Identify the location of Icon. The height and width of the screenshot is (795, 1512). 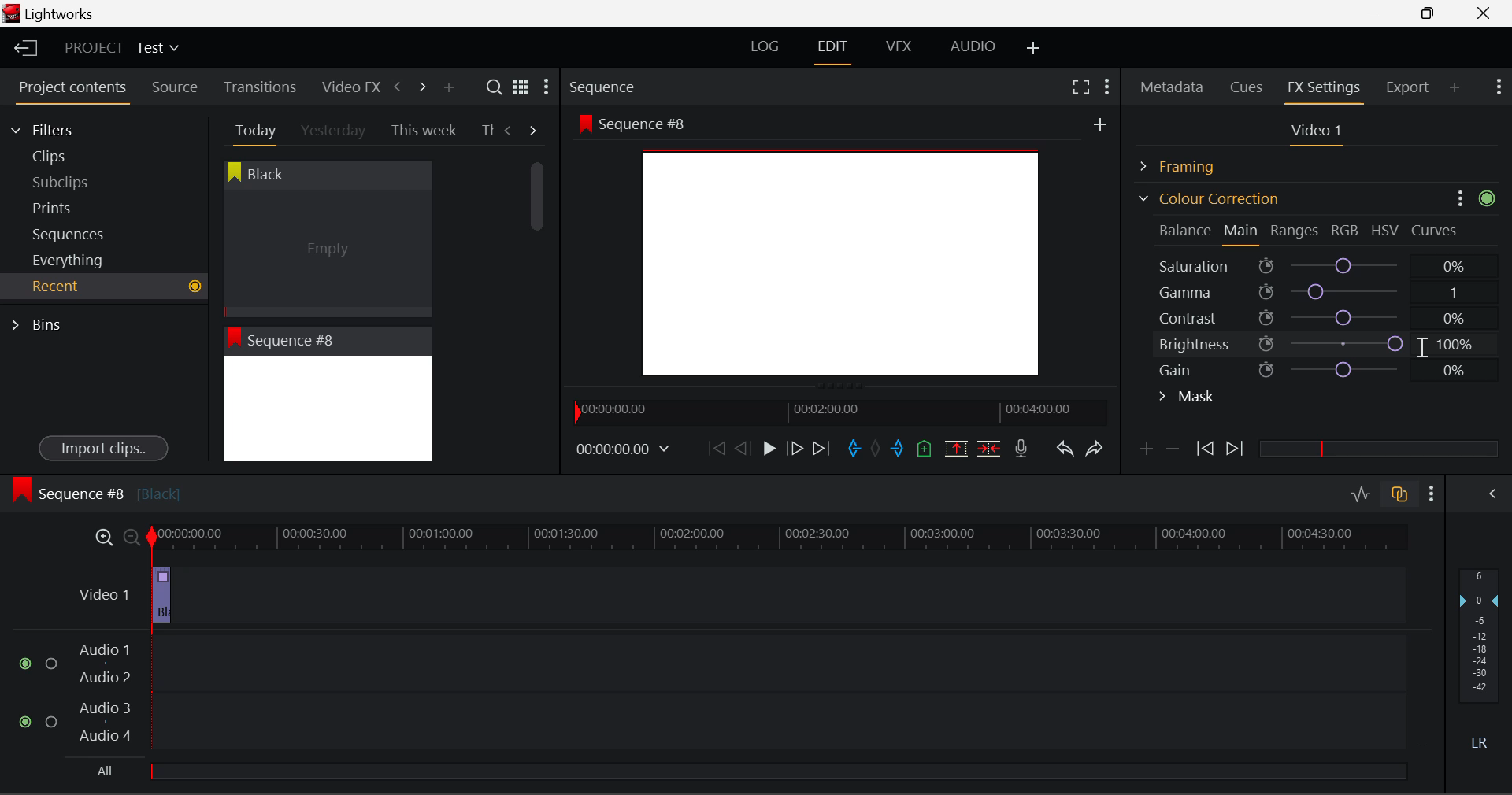
(1491, 200).